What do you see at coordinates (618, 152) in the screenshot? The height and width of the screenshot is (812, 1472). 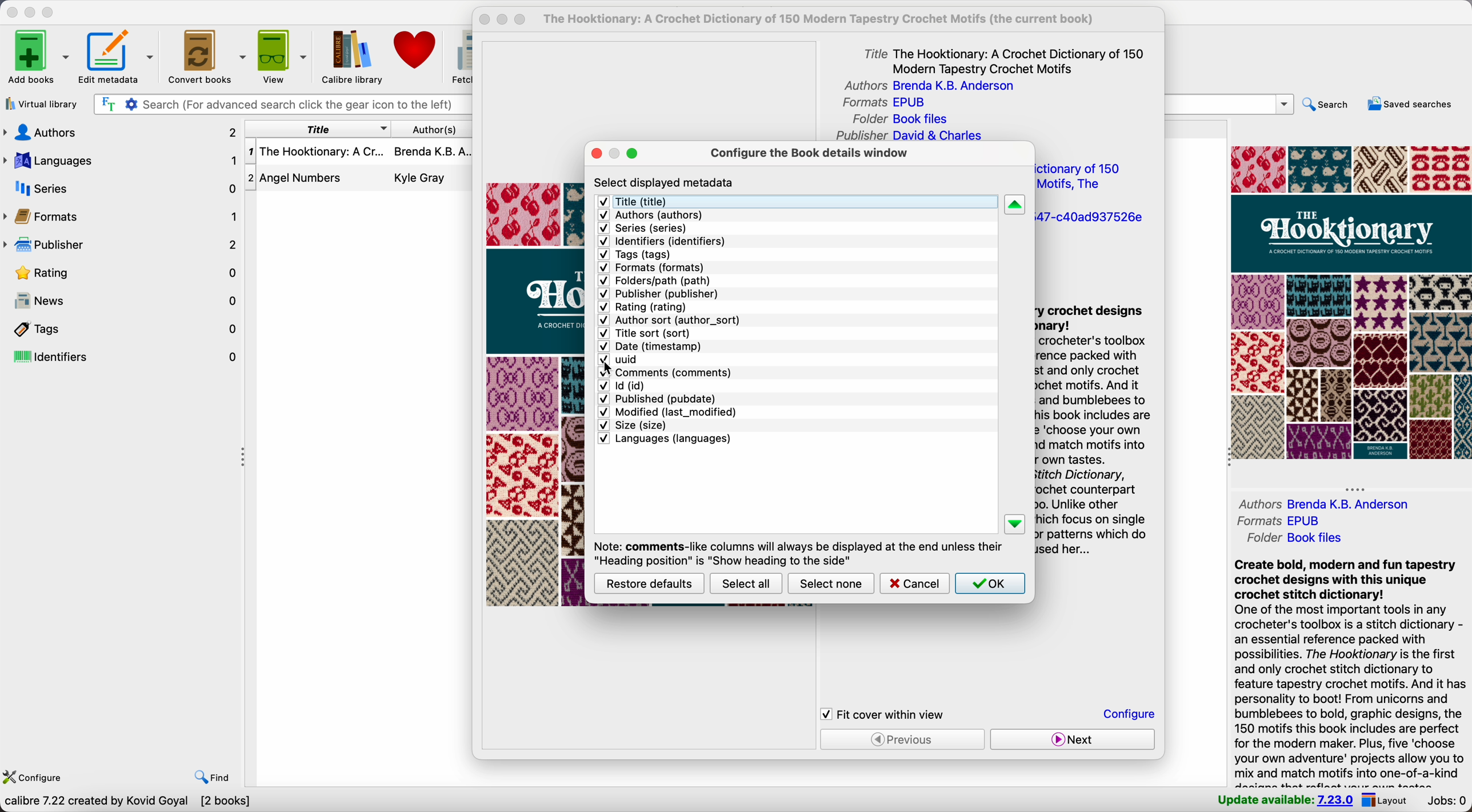 I see `minimize popup` at bounding box center [618, 152].